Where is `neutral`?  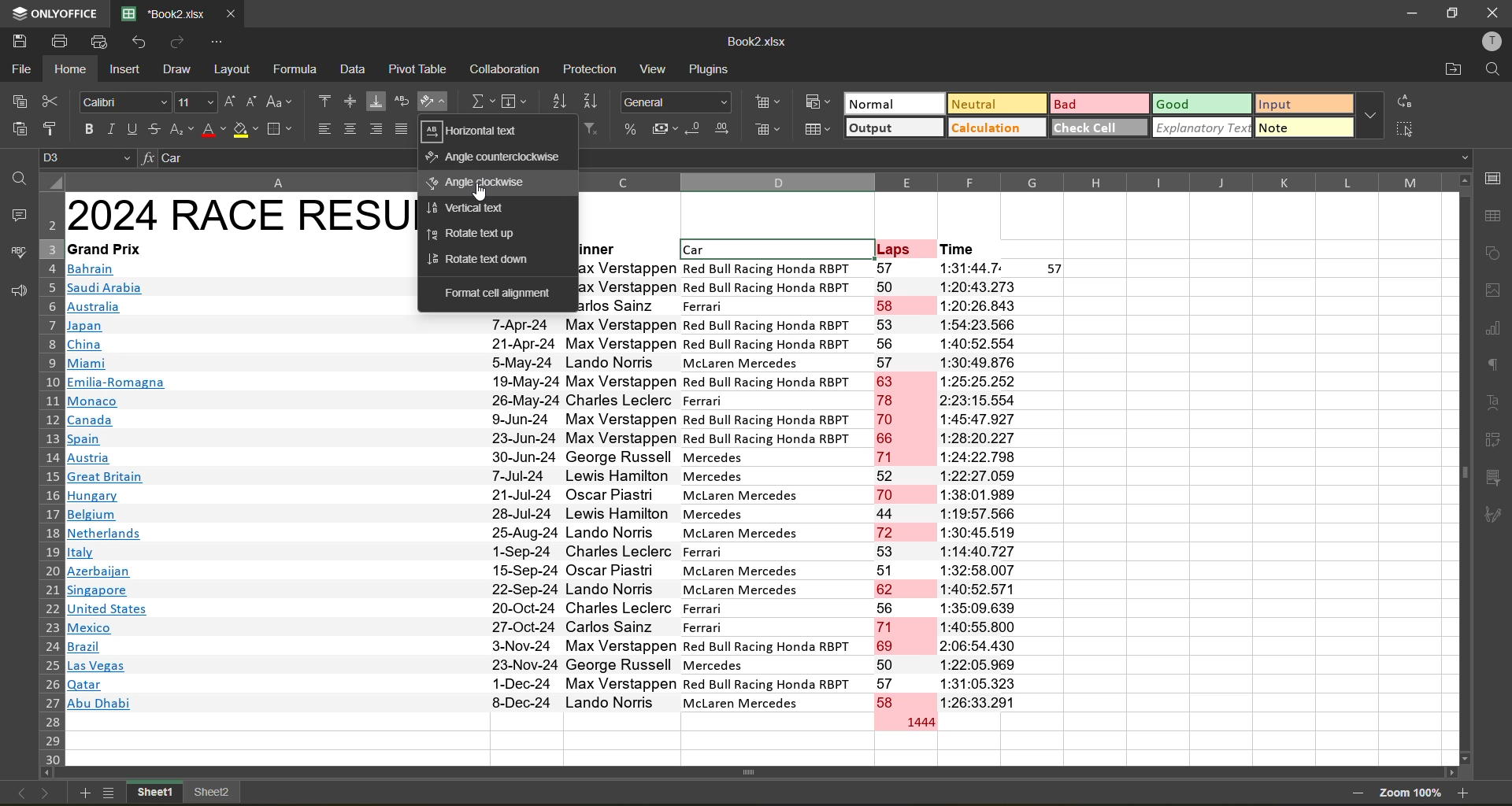
neutral is located at coordinates (996, 103).